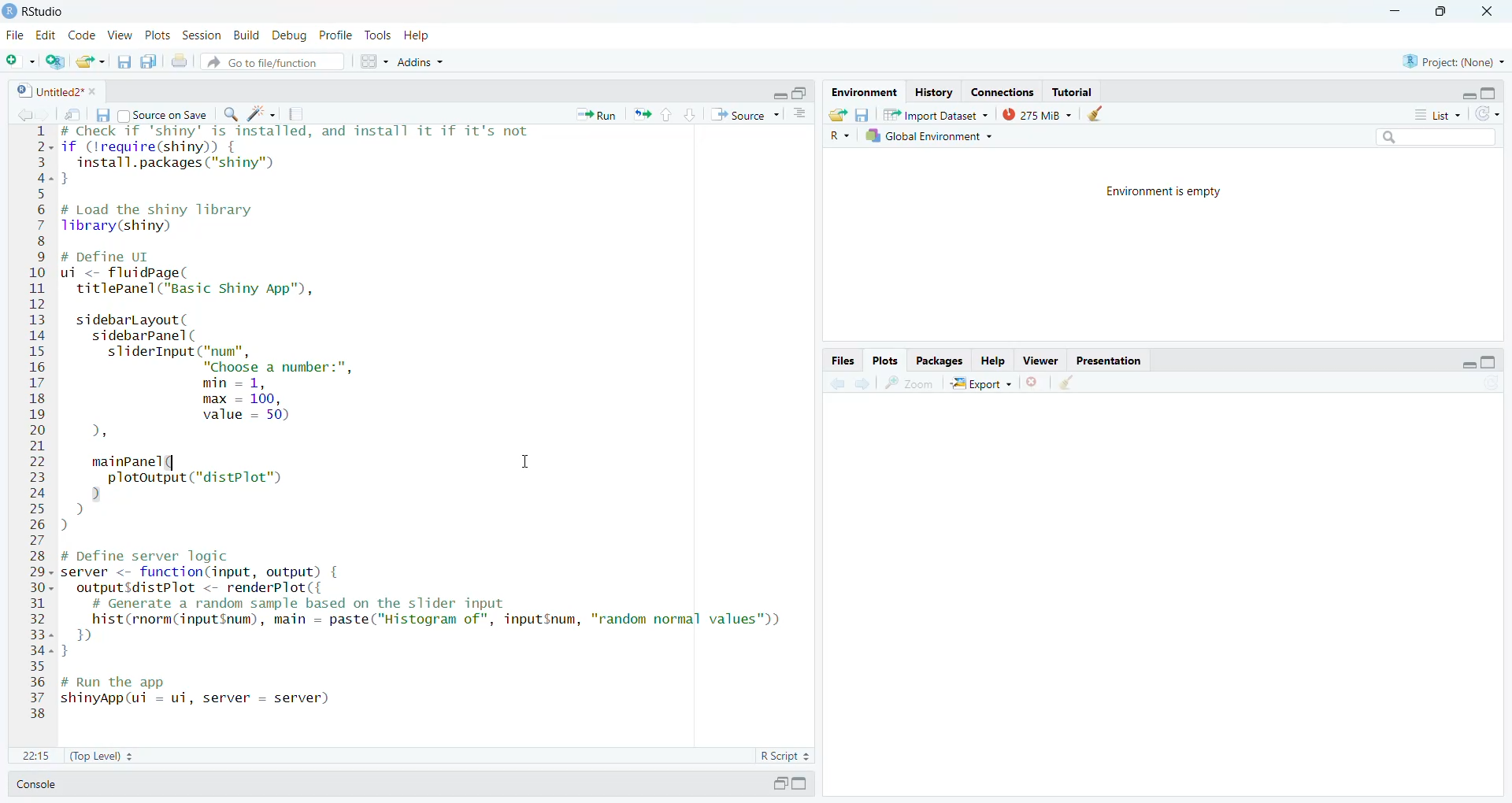 This screenshot has height=803, width=1512. I want to click on Global Environment, so click(932, 135).